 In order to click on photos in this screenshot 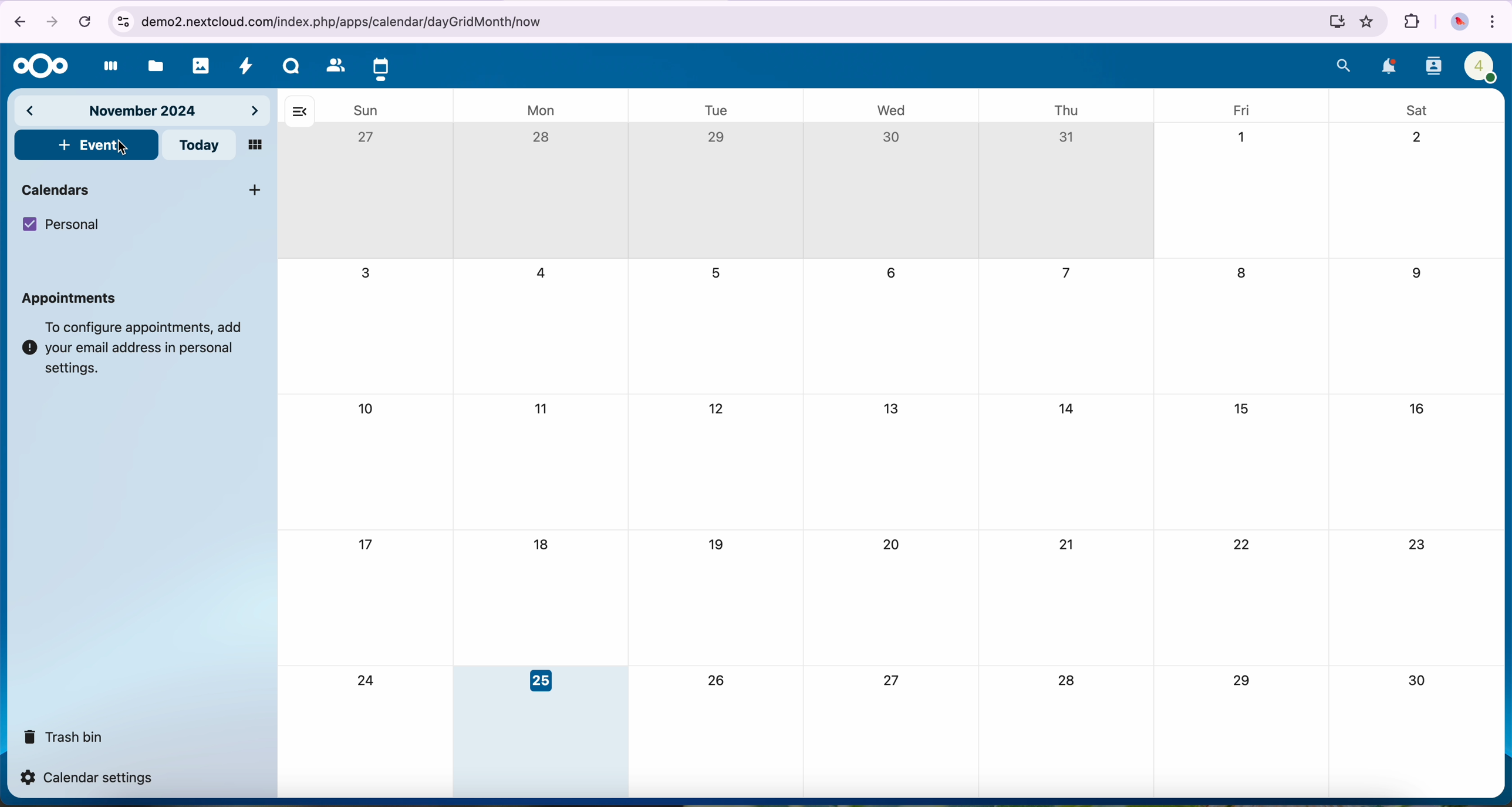, I will do `click(201, 66)`.